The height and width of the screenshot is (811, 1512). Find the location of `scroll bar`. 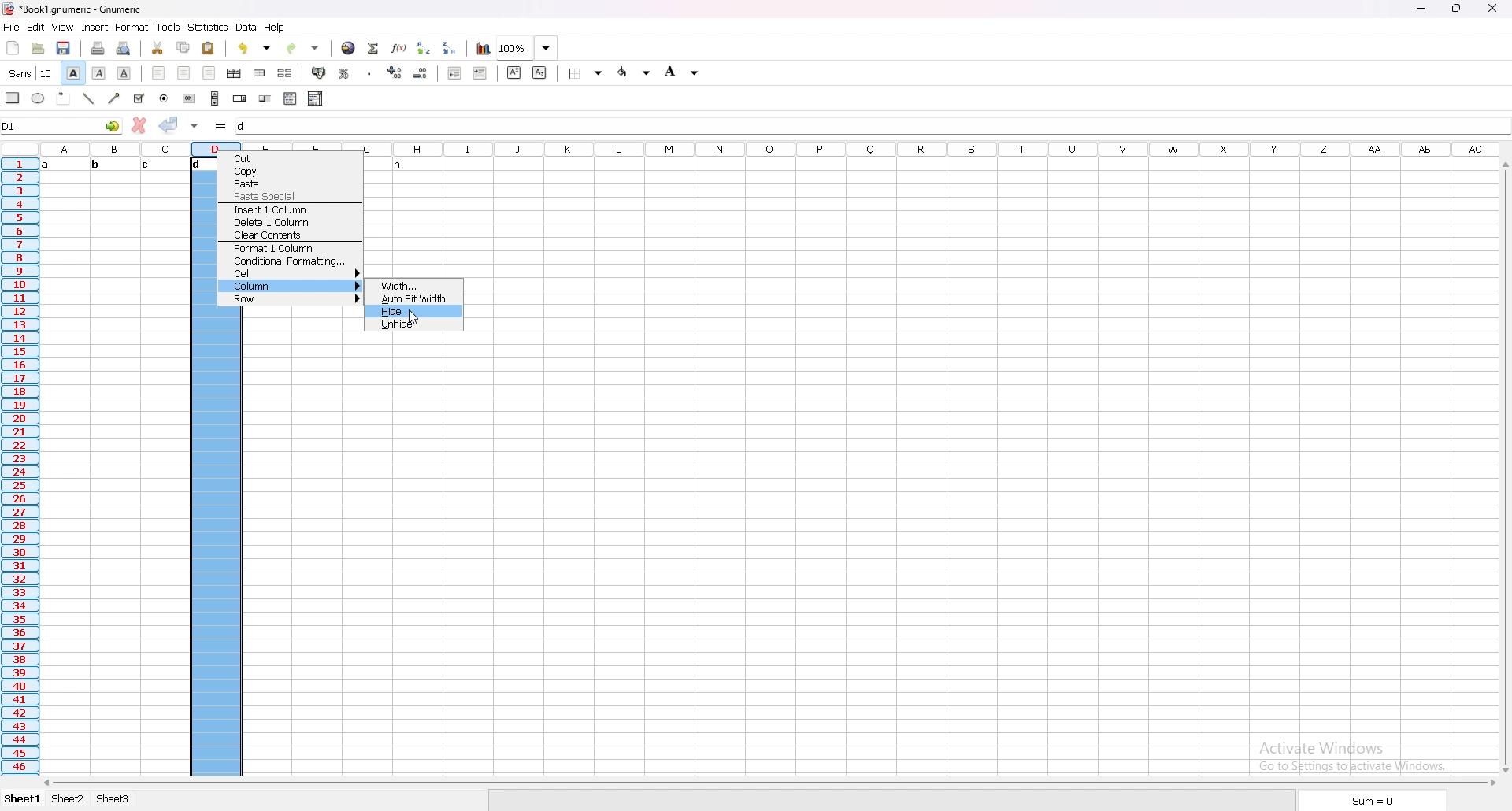

scroll bar is located at coordinates (1504, 468).